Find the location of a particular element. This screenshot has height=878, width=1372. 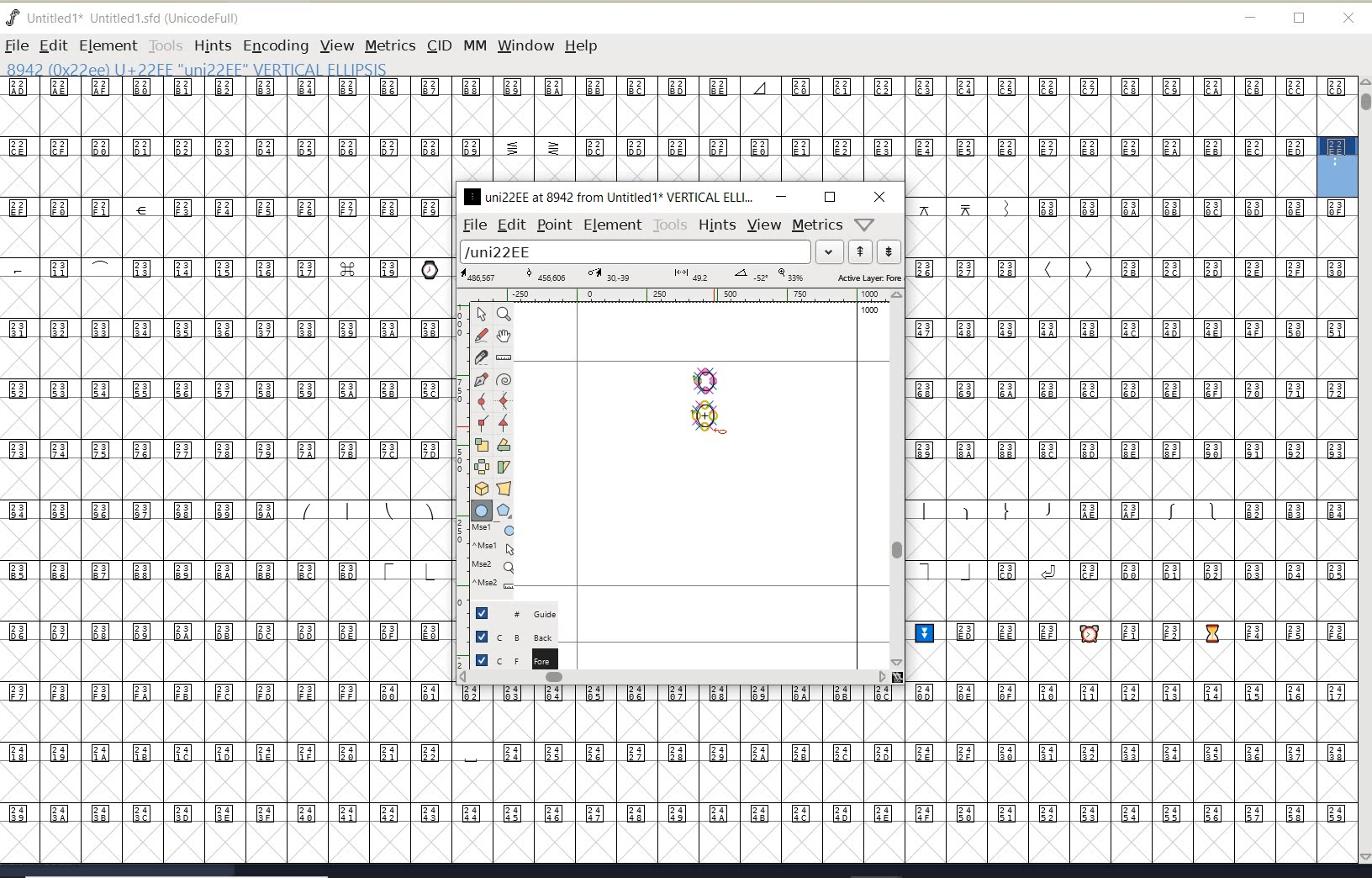

ruler is located at coordinates (674, 297).